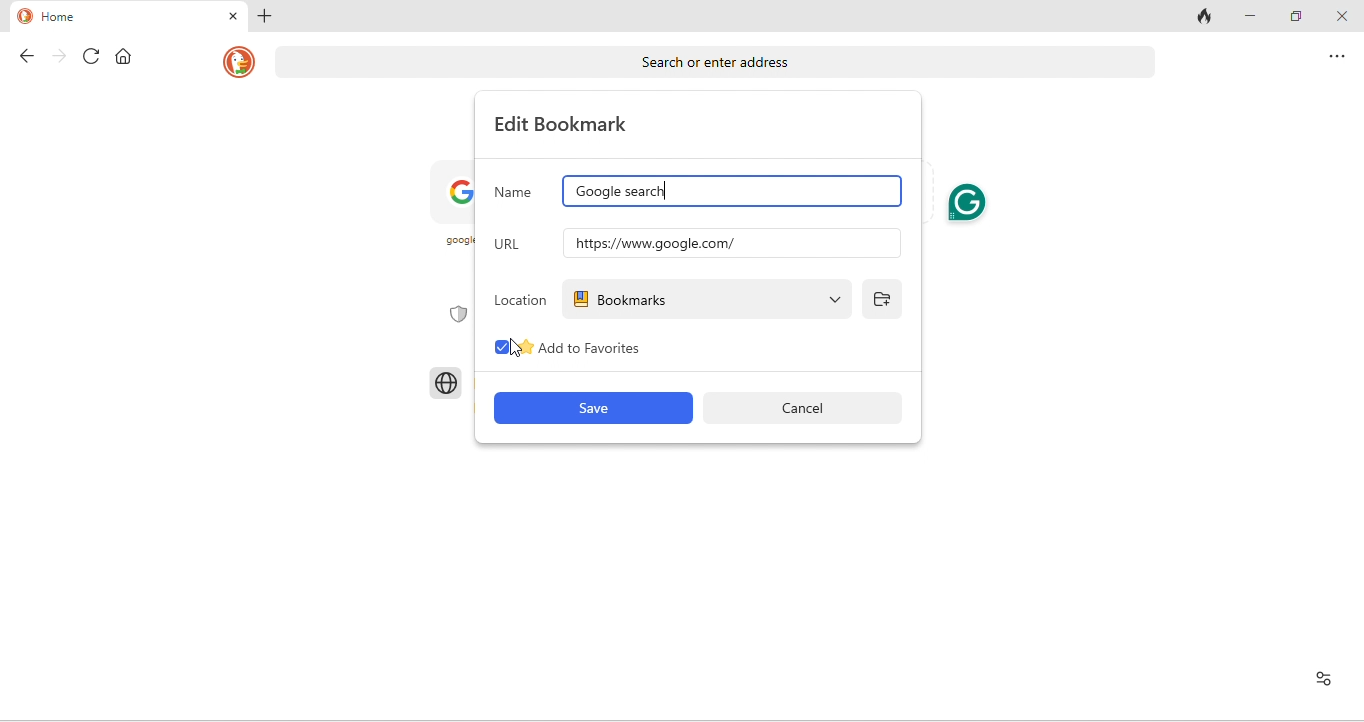  What do you see at coordinates (591, 409) in the screenshot?
I see `save` at bounding box center [591, 409].